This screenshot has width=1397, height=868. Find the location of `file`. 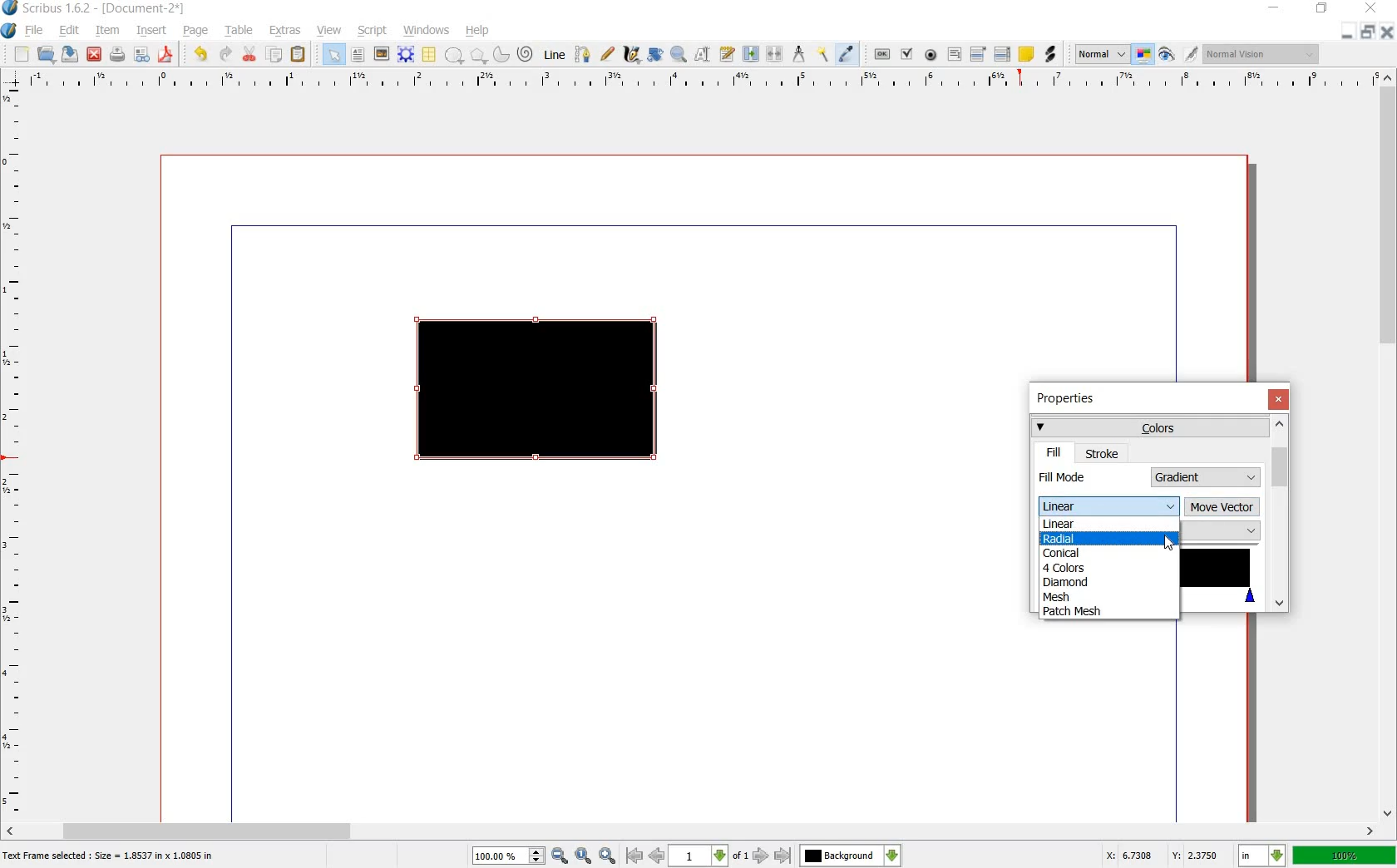

file is located at coordinates (37, 31).